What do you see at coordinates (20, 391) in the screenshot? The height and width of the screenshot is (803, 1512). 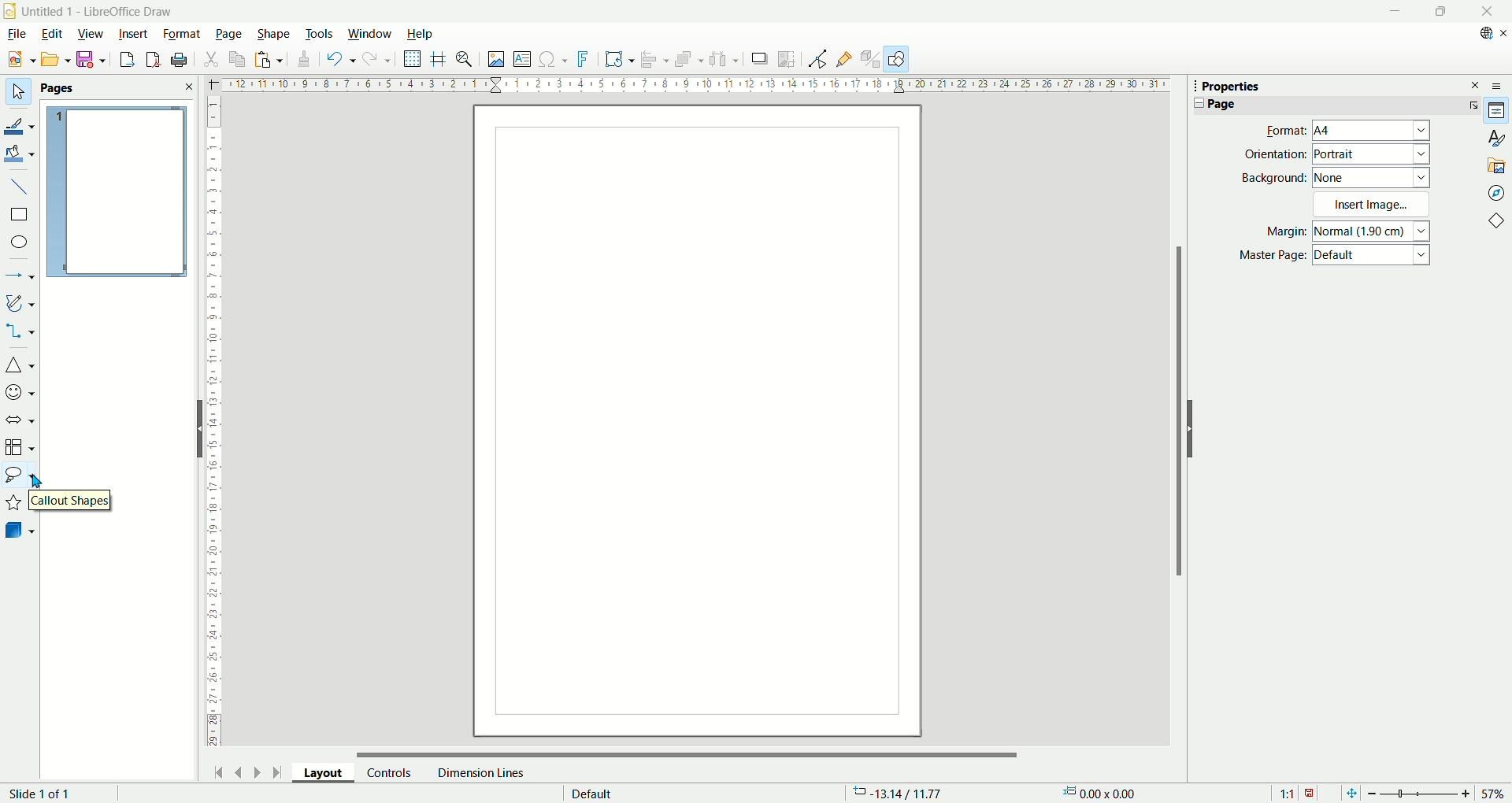 I see `symbol shapes` at bounding box center [20, 391].